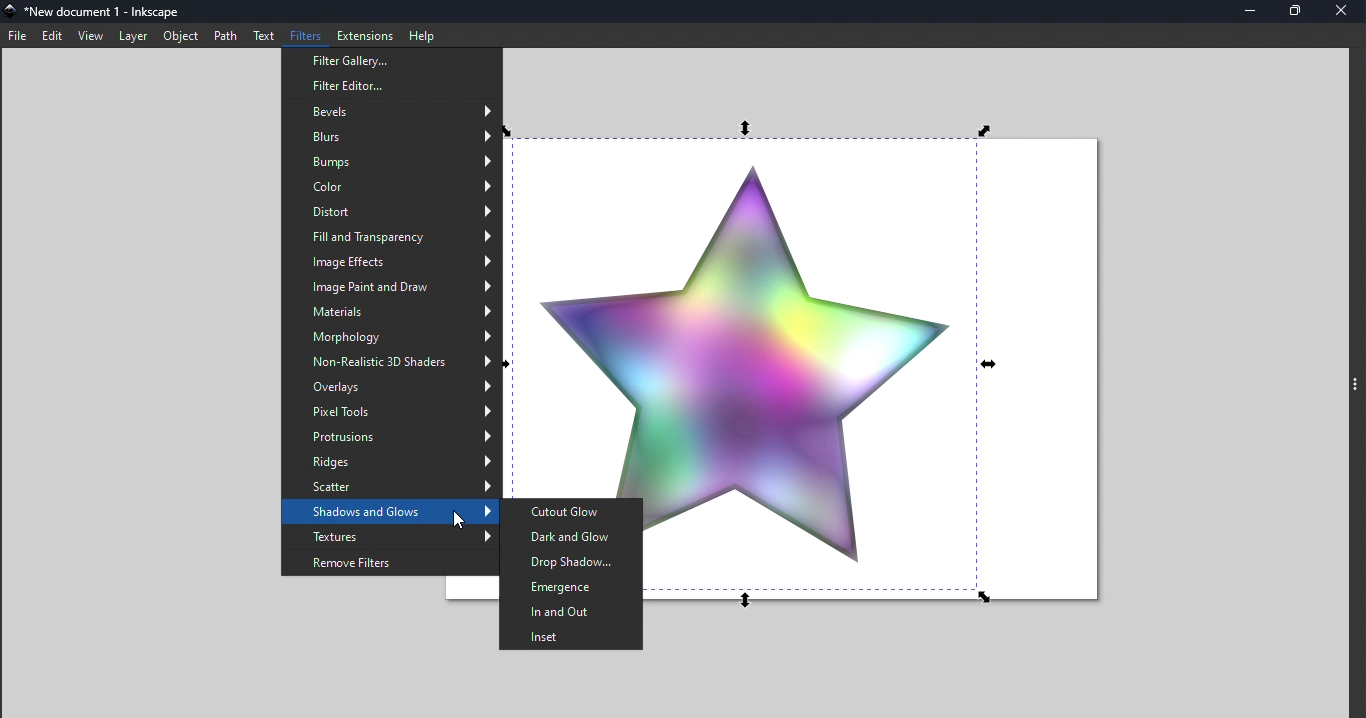 The image size is (1366, 718). Describe the element at coordinates (392, 239) in the screenshot. I see `Fill and transparency` at that location.